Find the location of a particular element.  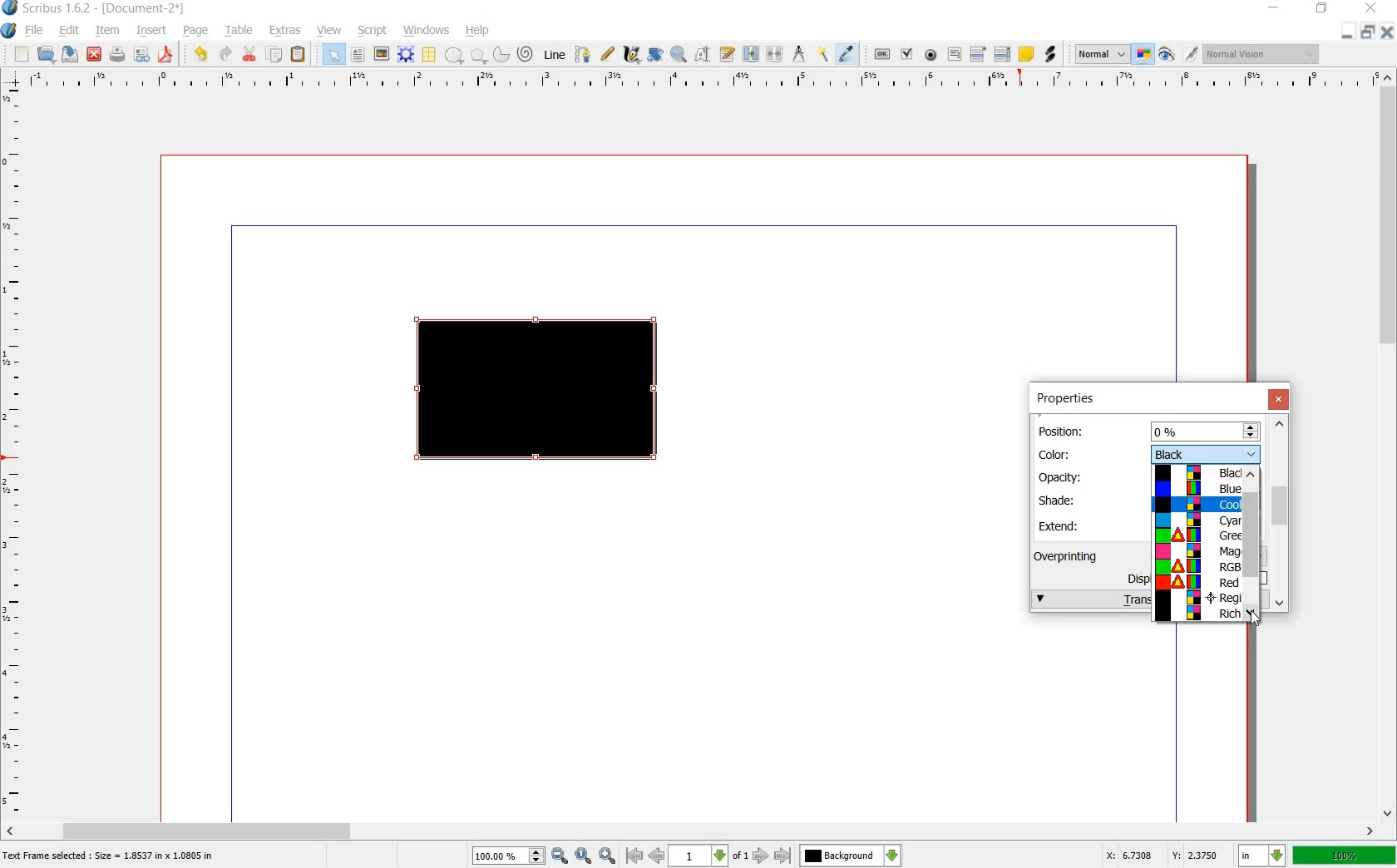

undo is located at coordinates (203, 55).